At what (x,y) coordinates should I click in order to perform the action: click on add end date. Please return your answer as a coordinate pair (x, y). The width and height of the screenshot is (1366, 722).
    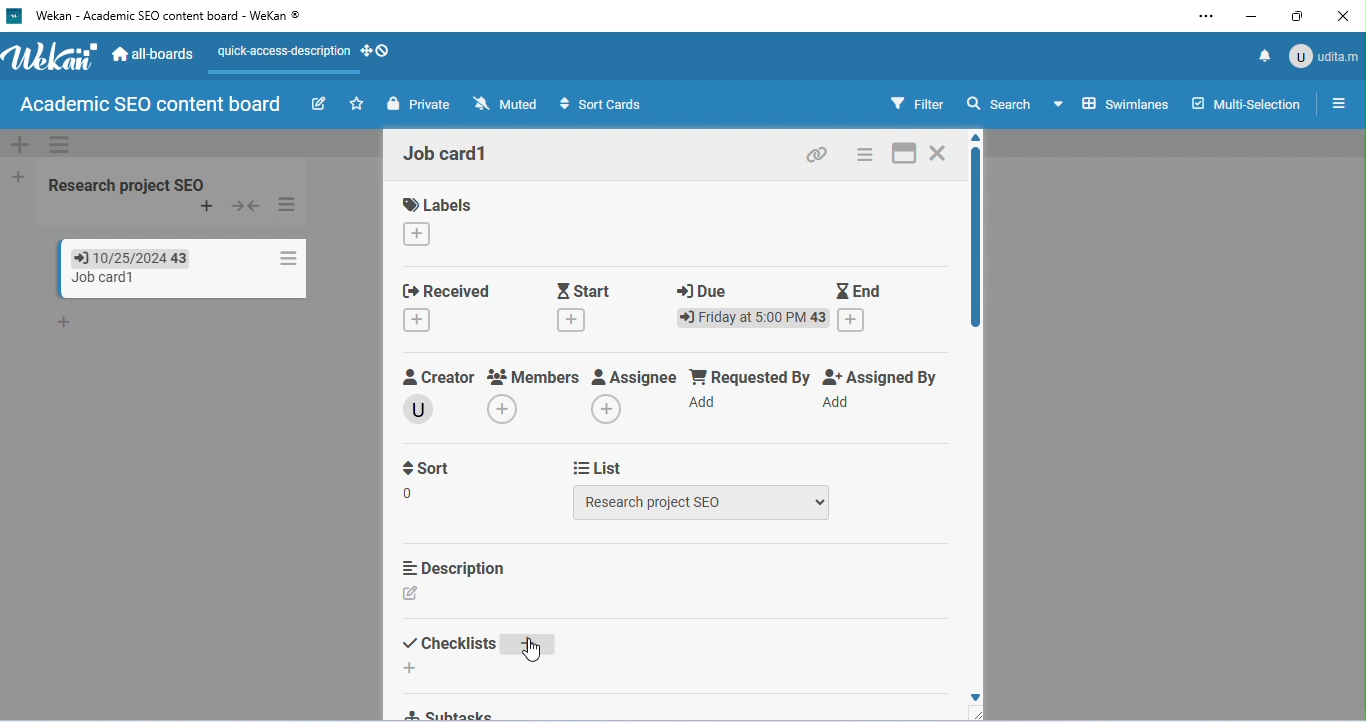
    Looking at the image, I should click on (853, 320).